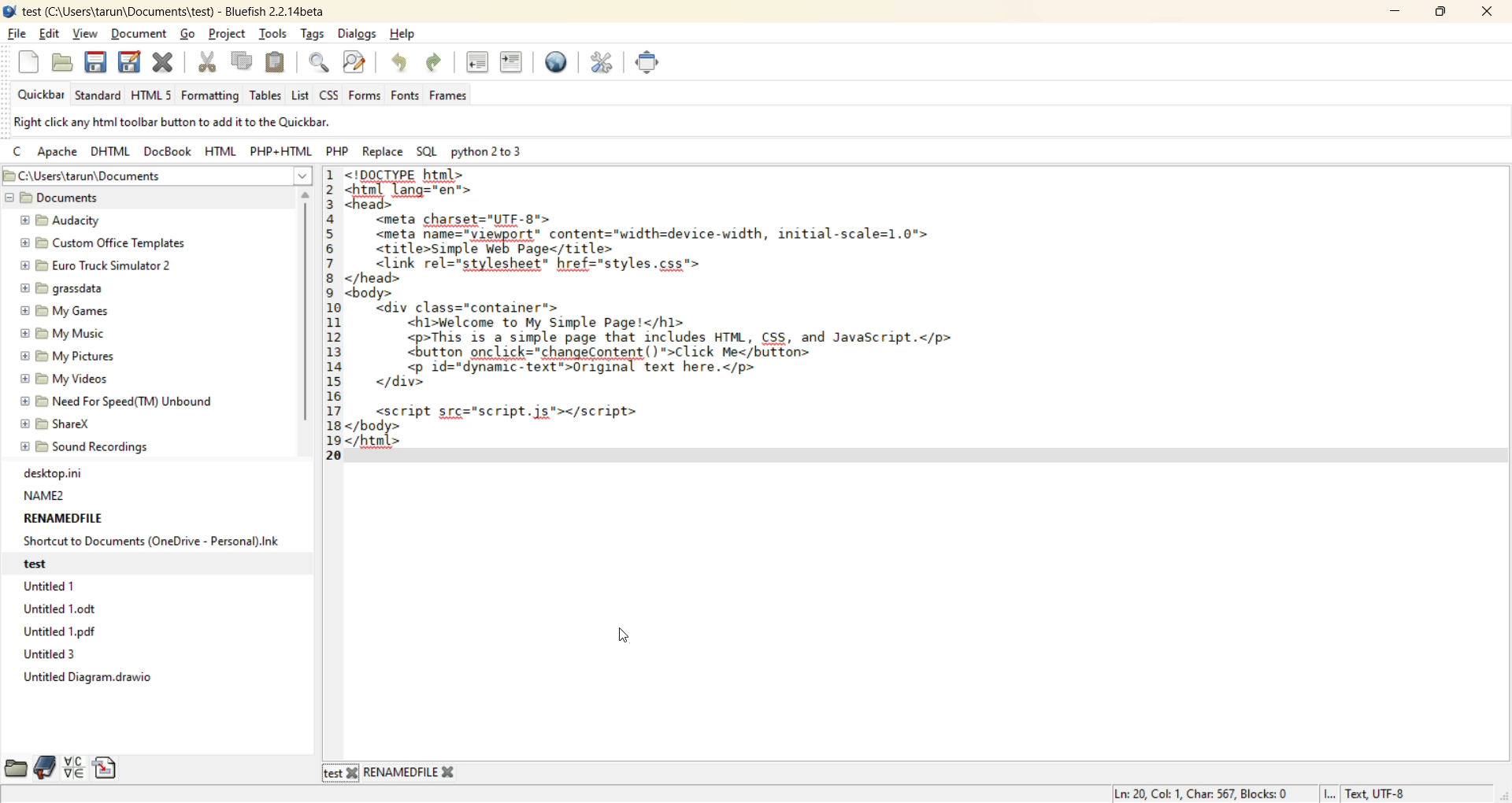  Describe the element at coordinates (437, 62) in the screenshot. I see `redo` at that location.